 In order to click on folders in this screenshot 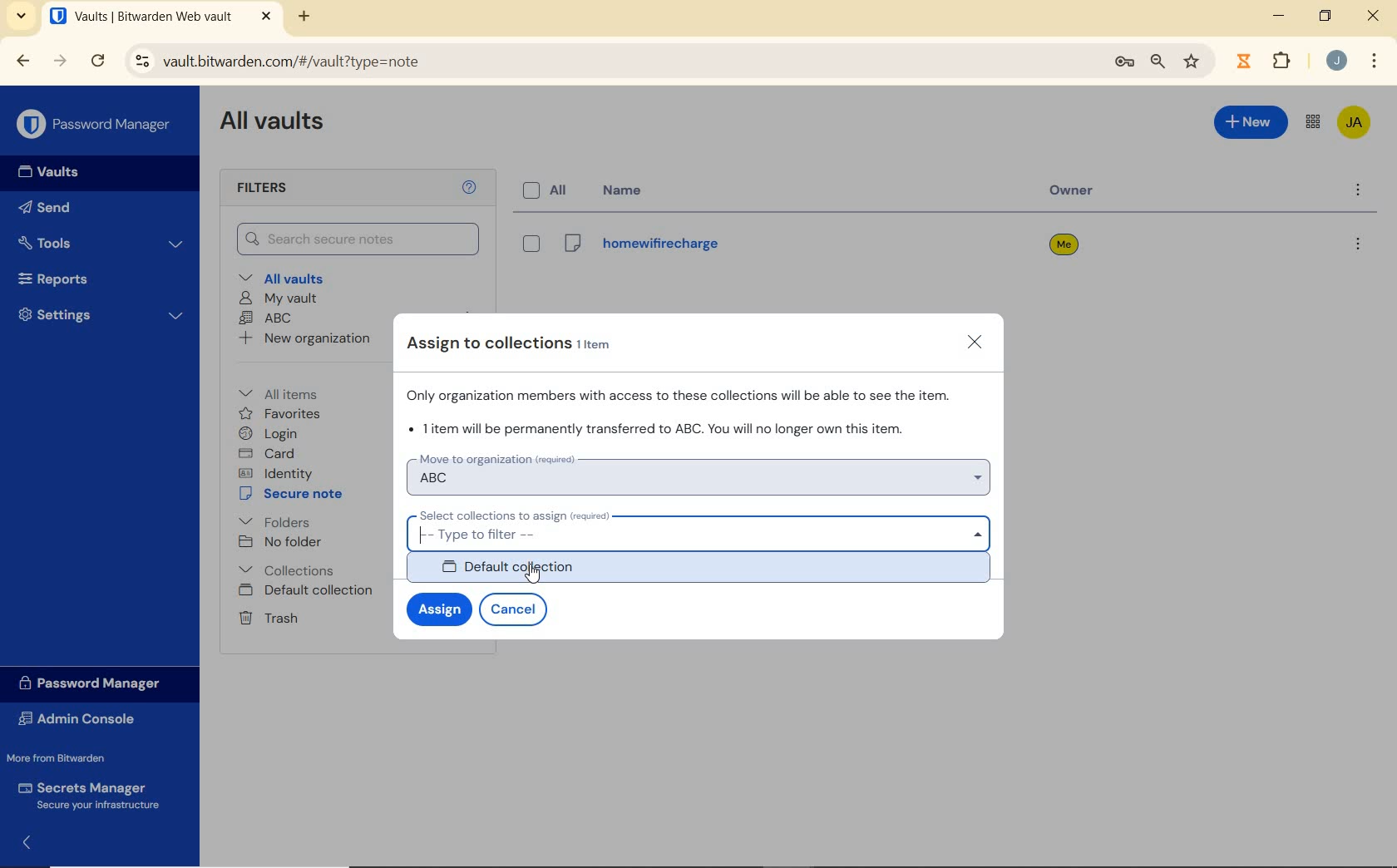, I will do `click(274, 520)`.